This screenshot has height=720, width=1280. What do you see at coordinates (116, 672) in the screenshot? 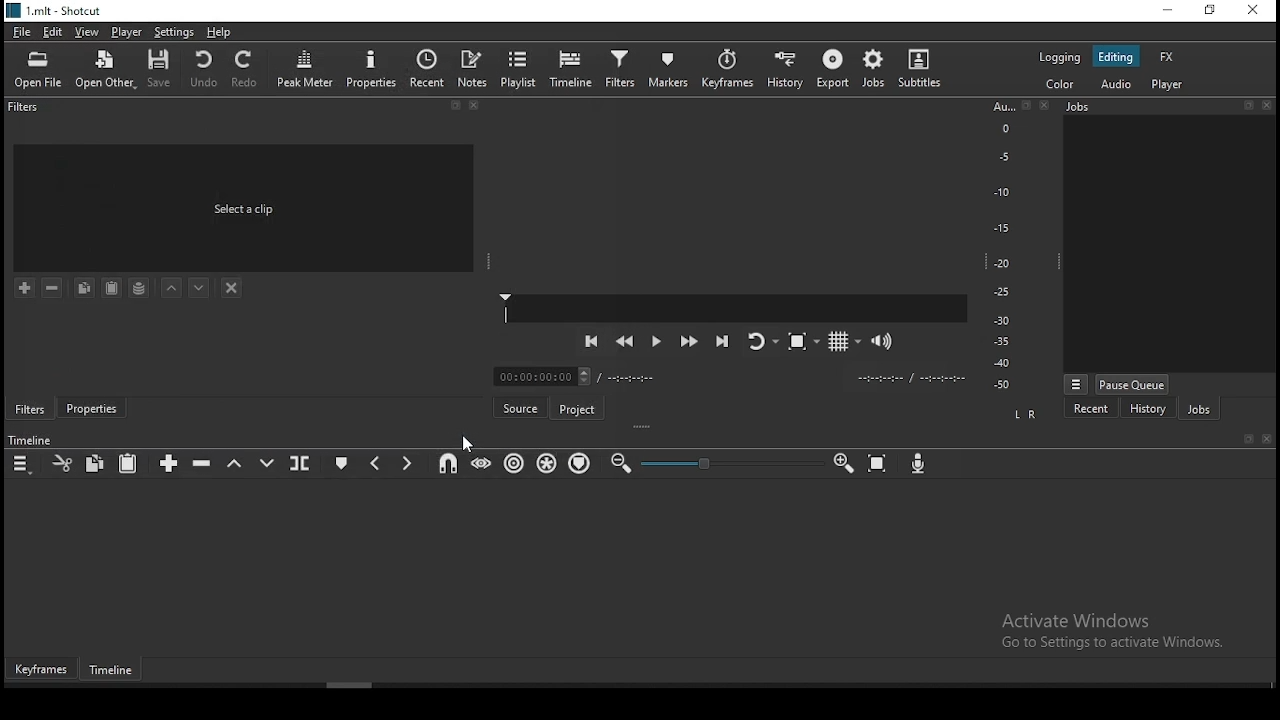
I see `timeline` at bounding box center [116, 672].